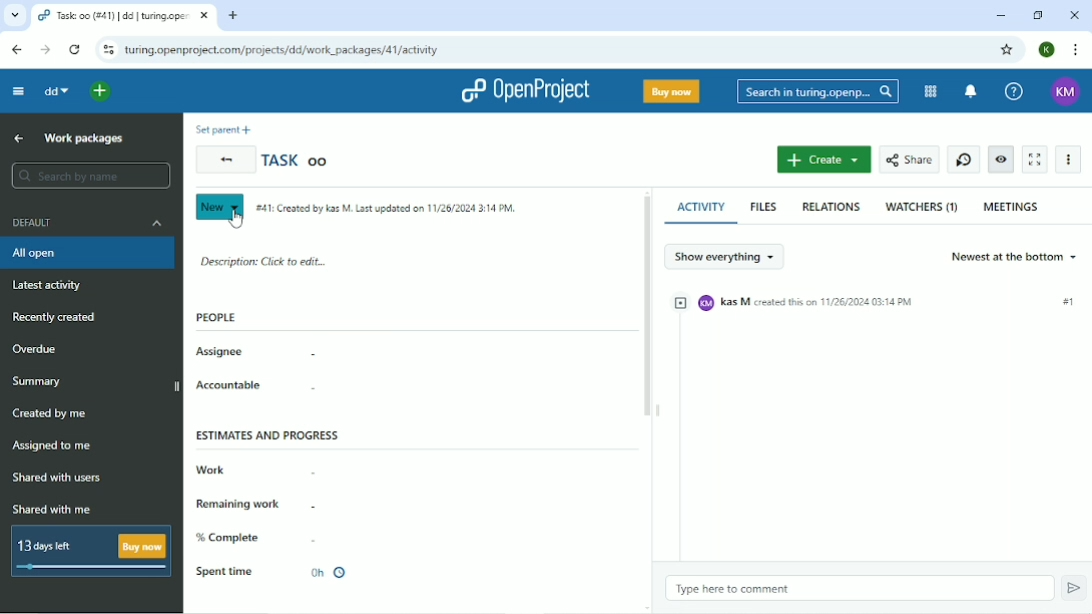  What do you see at coordinates (1035, 160) in the screenshot?
I see `Activate zen mode` at bounding box center [1035, 160].